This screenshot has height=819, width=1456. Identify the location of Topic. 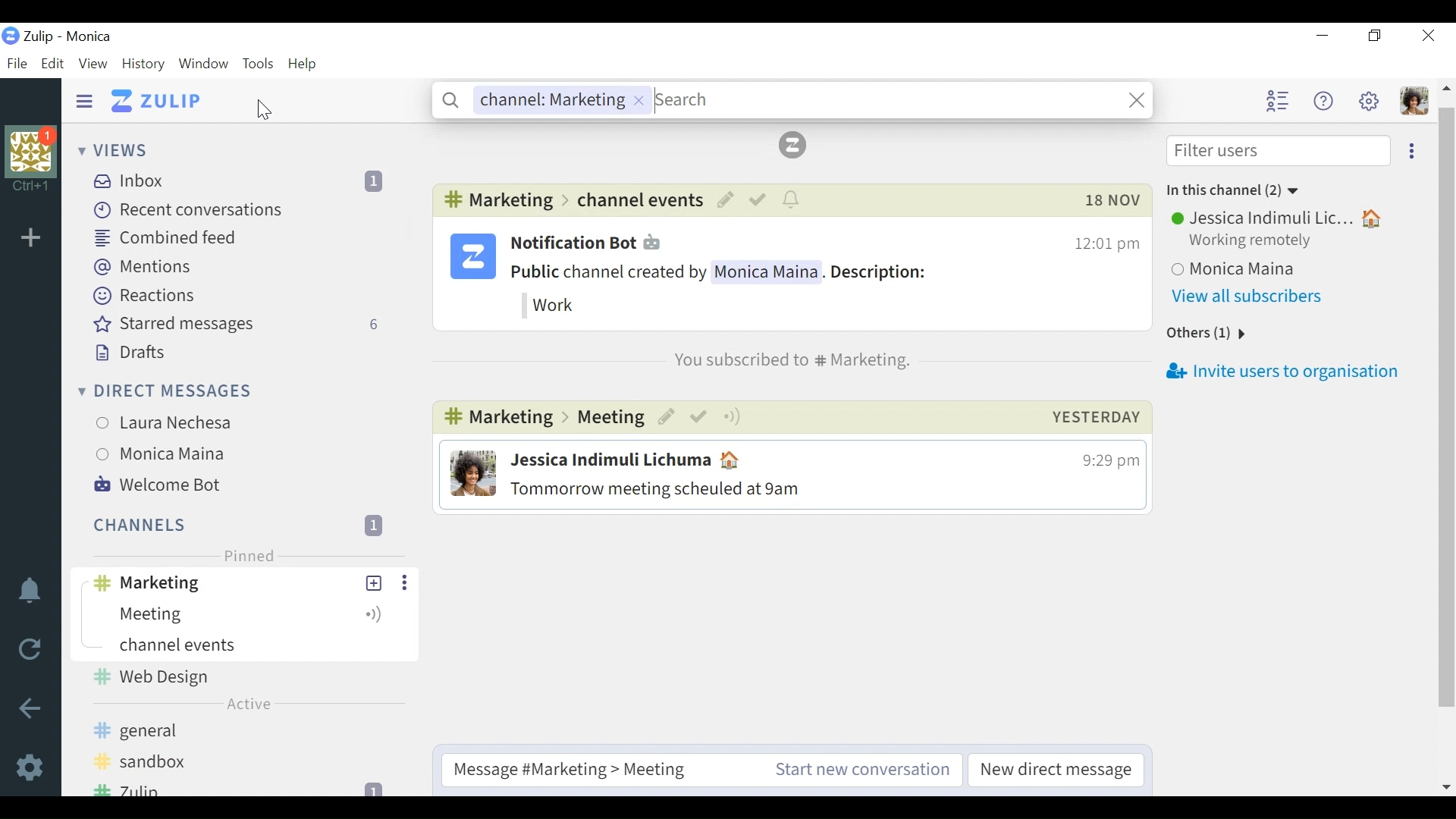
(238, 616).